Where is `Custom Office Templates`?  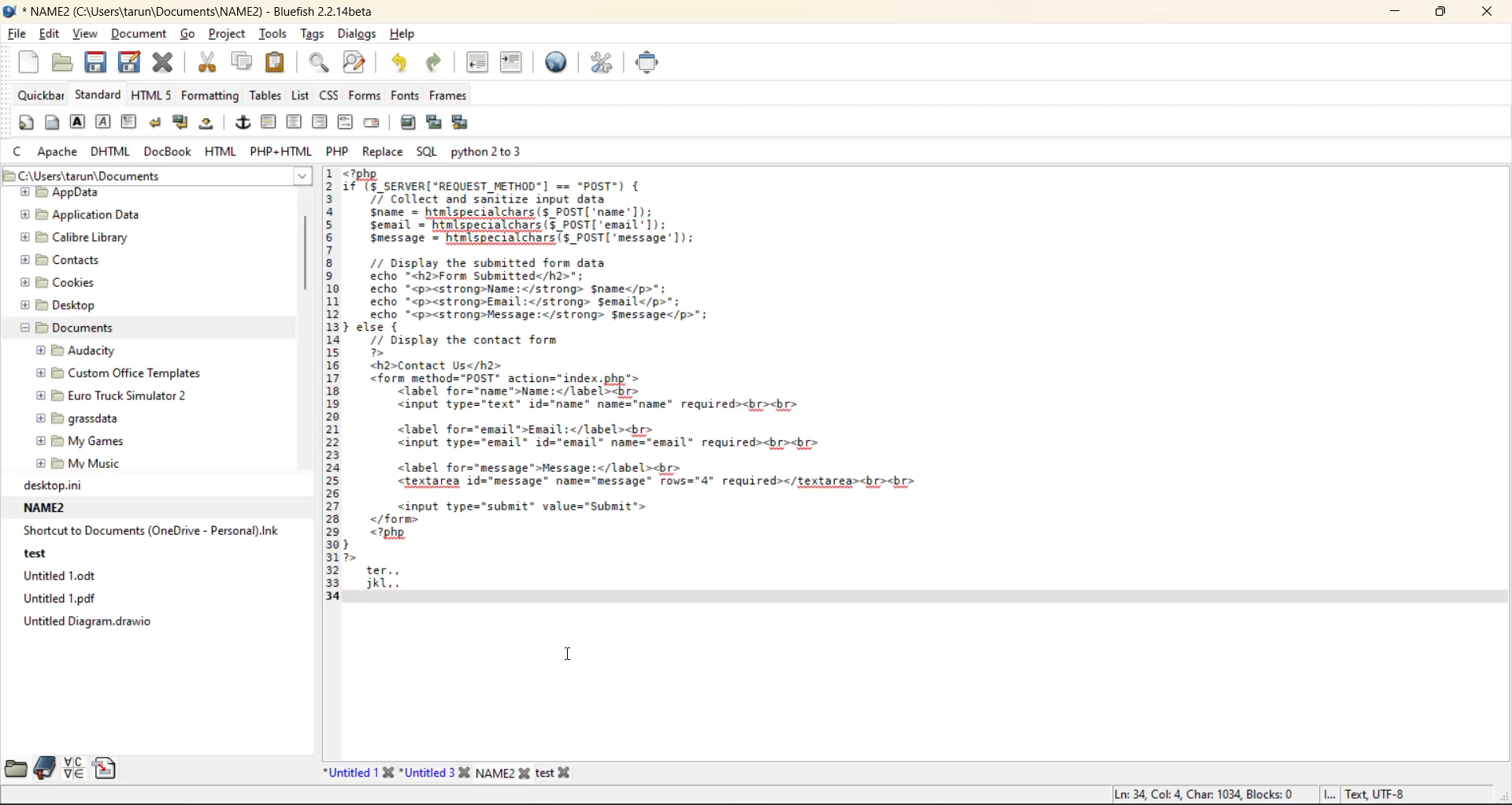 Custom Office Templates is located at coordinates (113, 374).